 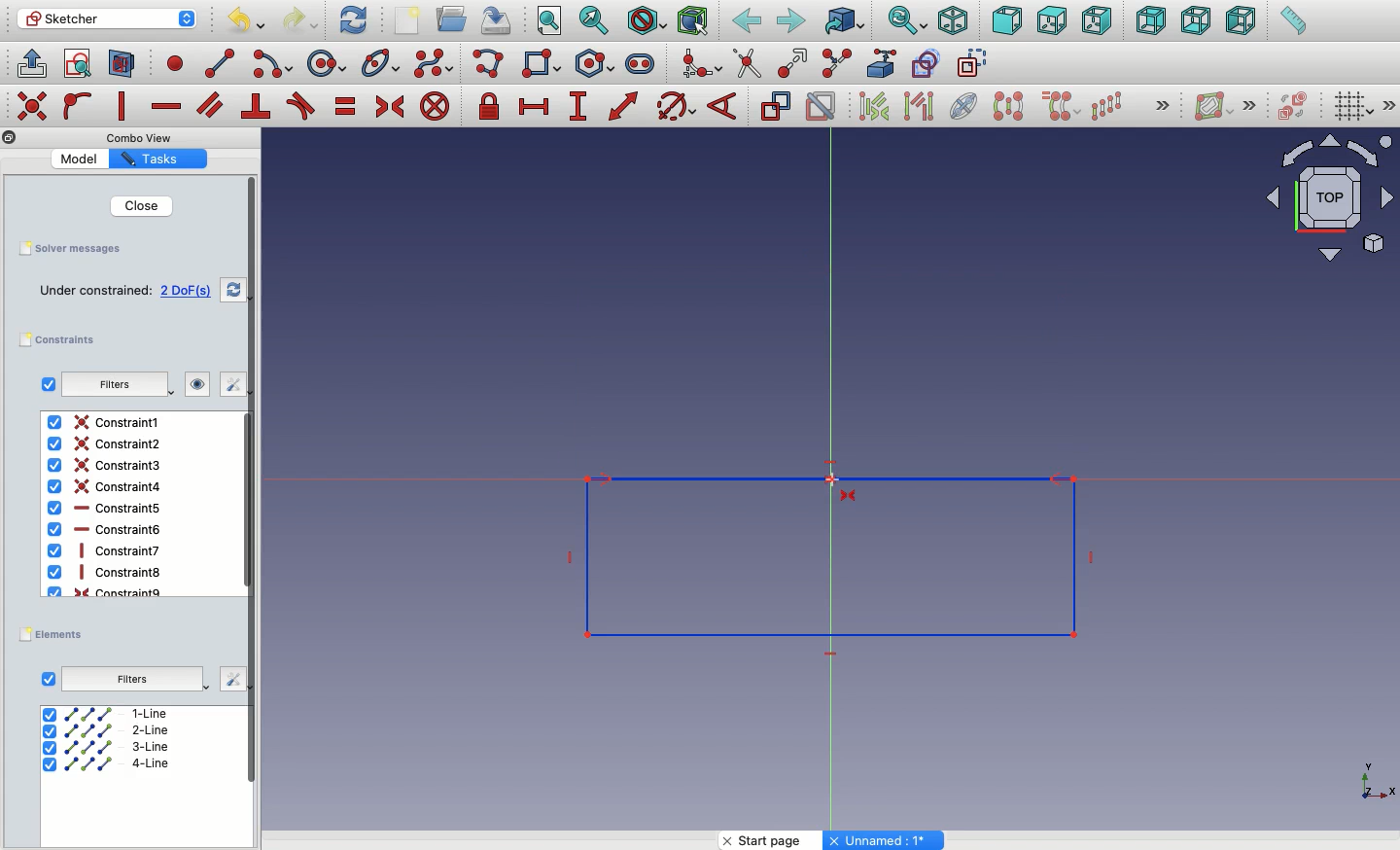 What do you see at coordinates (95, 292) in the screenshot?
I see `Under constrained:` at bounding box center [95, 292].